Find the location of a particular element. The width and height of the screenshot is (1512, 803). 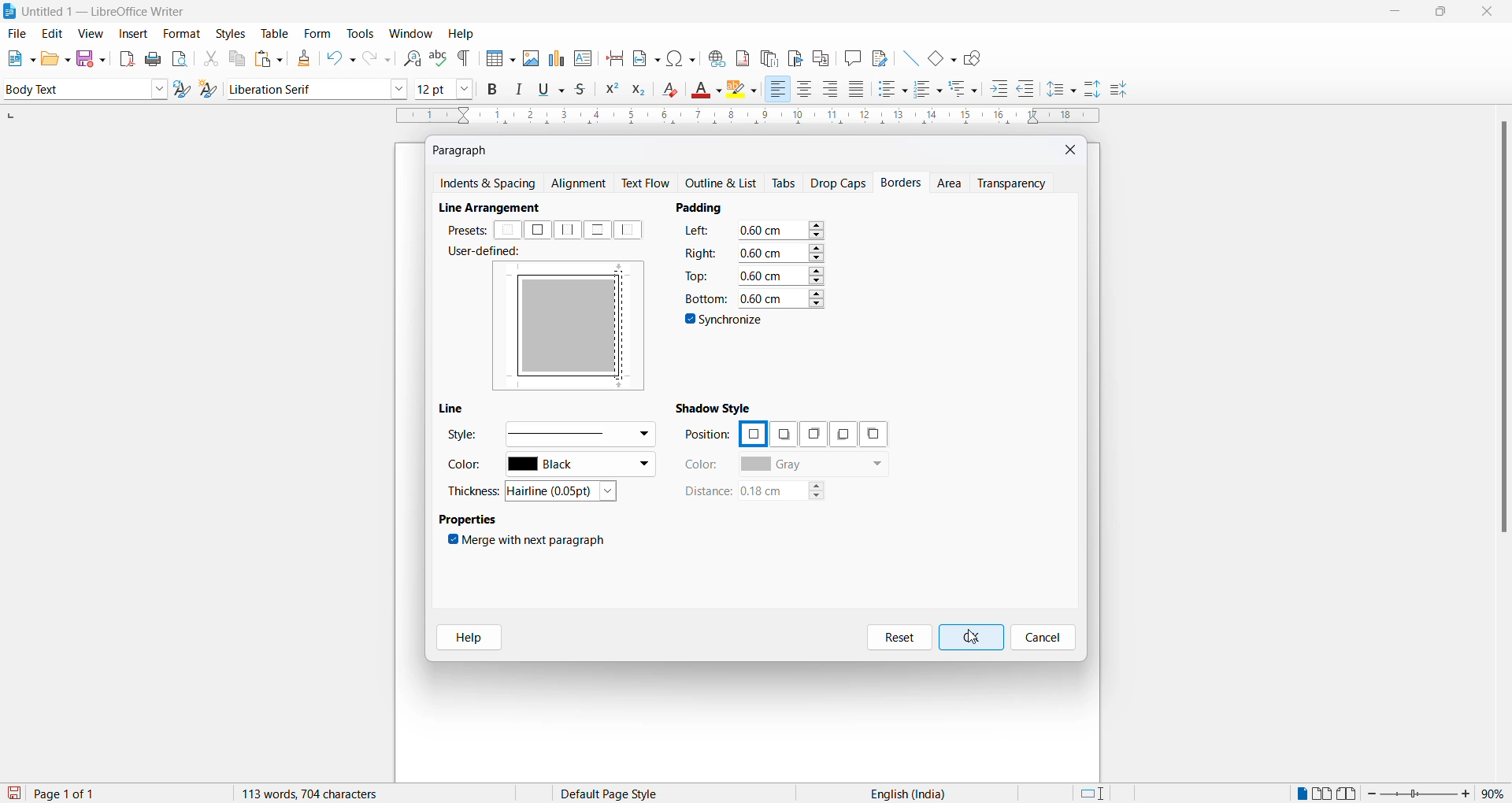

paragraph mapping is located at coordinates (573, 324).